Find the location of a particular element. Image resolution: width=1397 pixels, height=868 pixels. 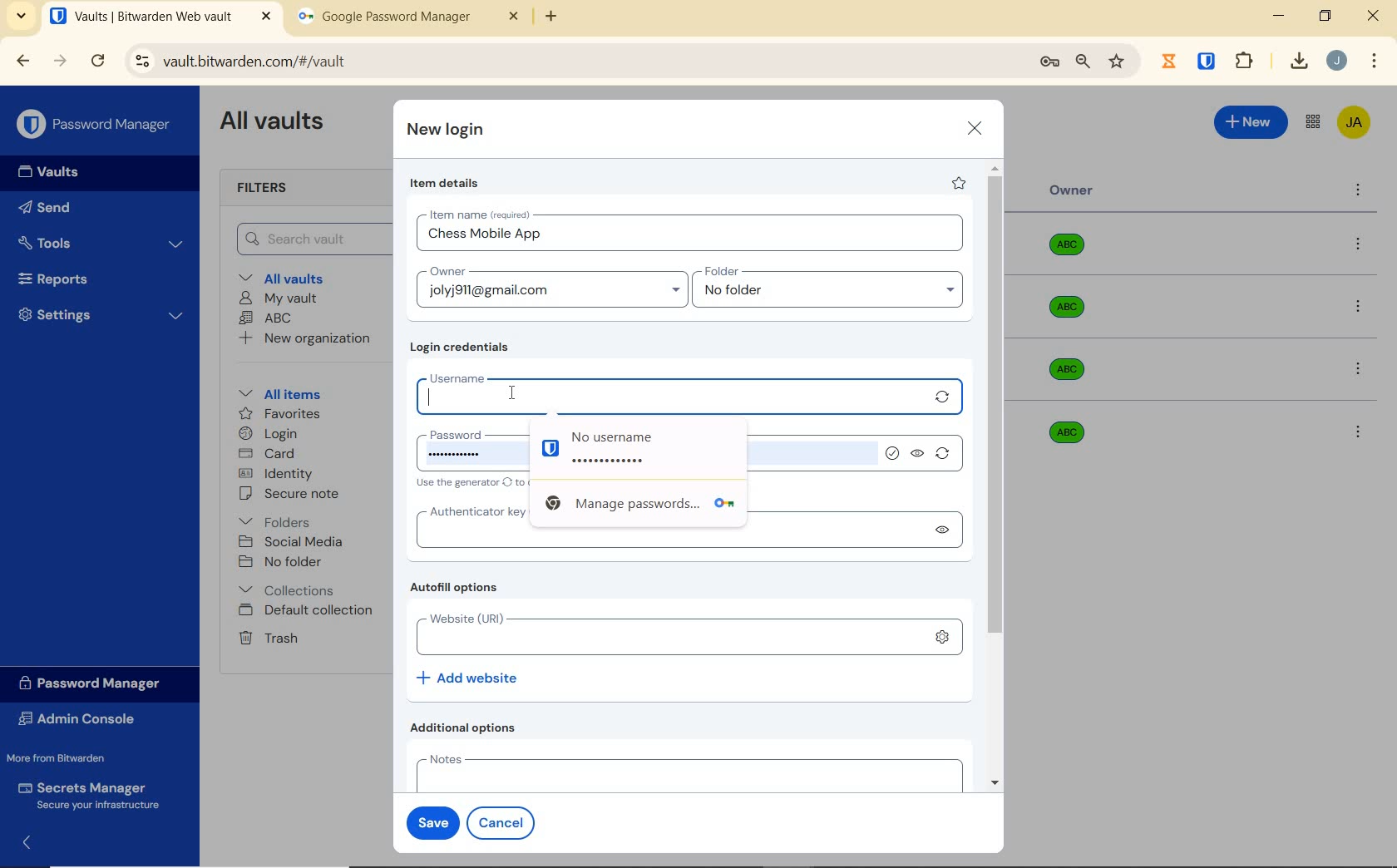

cursor is located at coordinates (514, 393).